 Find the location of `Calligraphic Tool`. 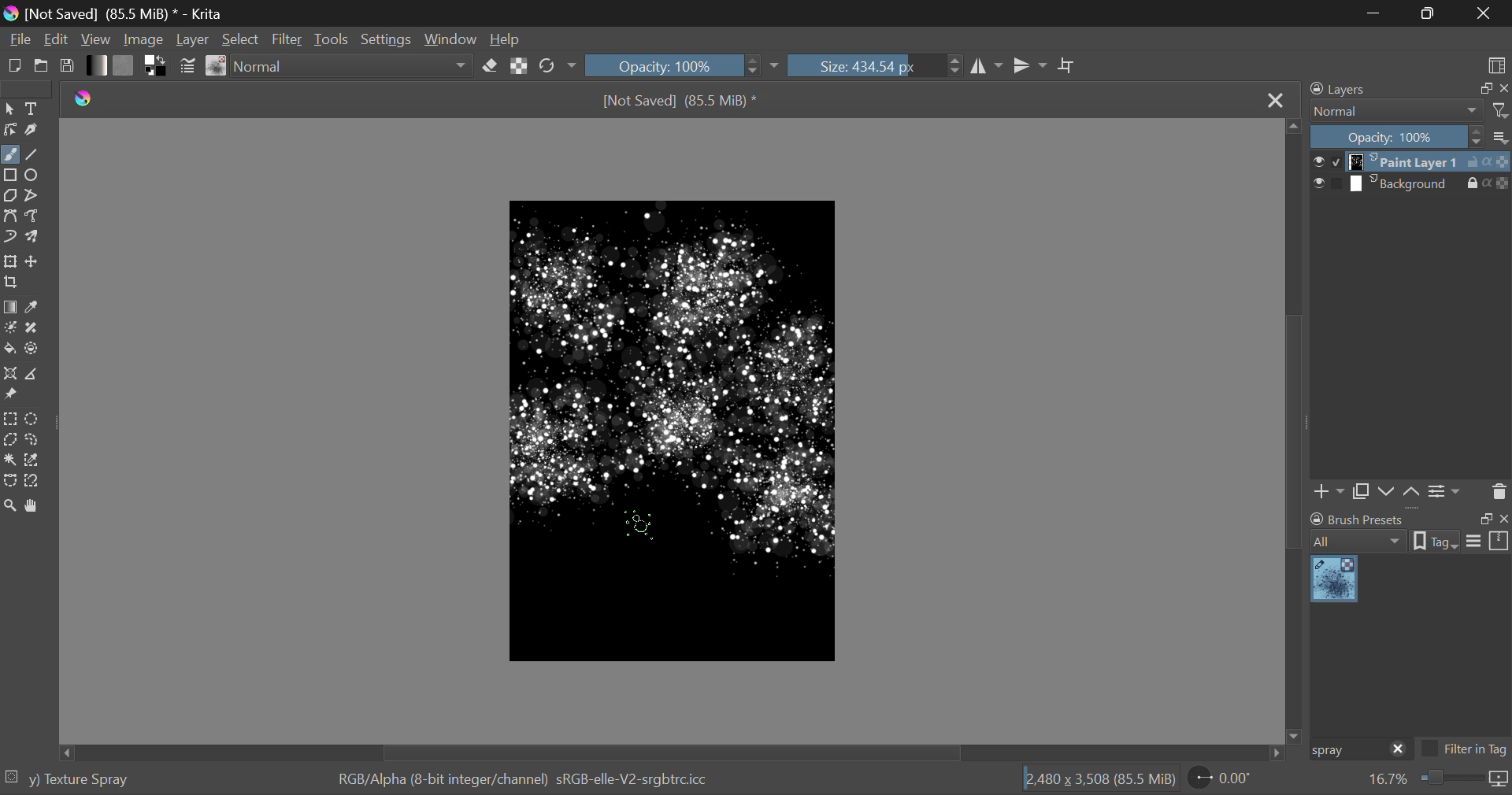

Calligraphic Tool is located at coordinates (34, 130).